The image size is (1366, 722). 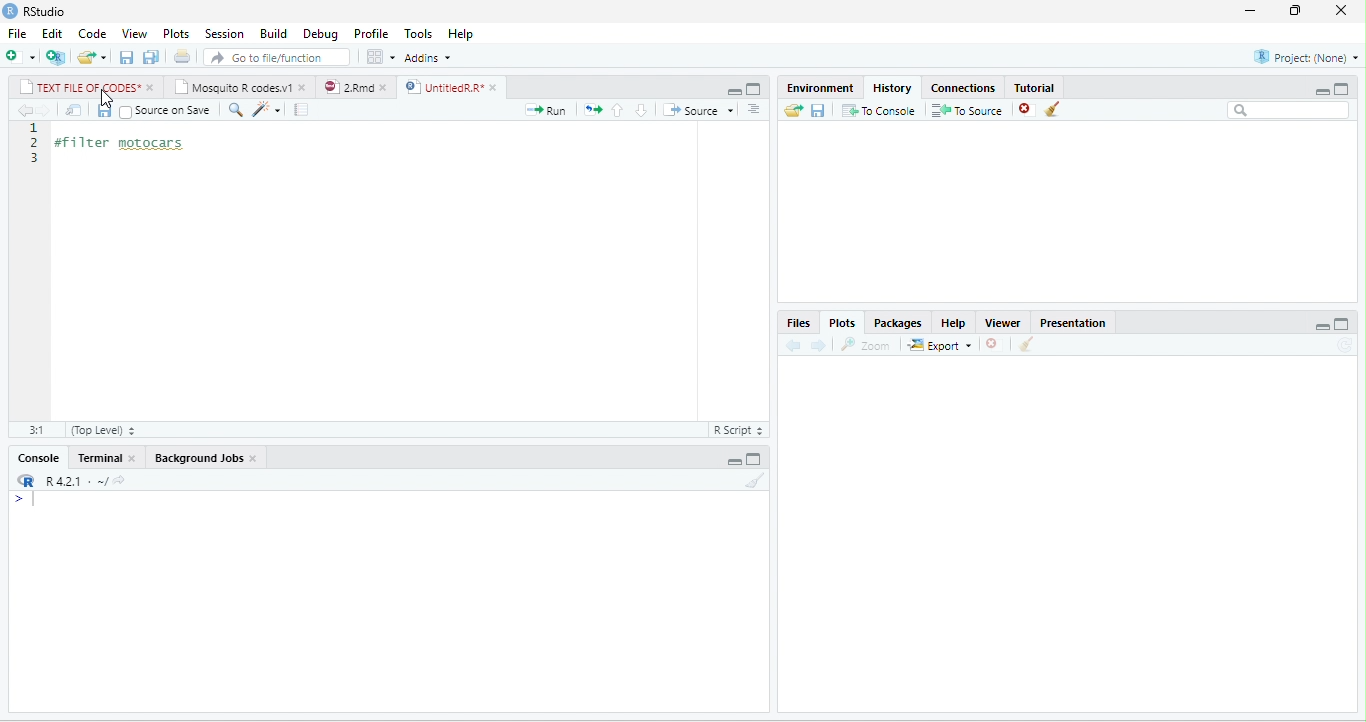 What do you see at coordinates (37, 458) in the screenshot?
I see `Console` at bounding box center [37, 458].